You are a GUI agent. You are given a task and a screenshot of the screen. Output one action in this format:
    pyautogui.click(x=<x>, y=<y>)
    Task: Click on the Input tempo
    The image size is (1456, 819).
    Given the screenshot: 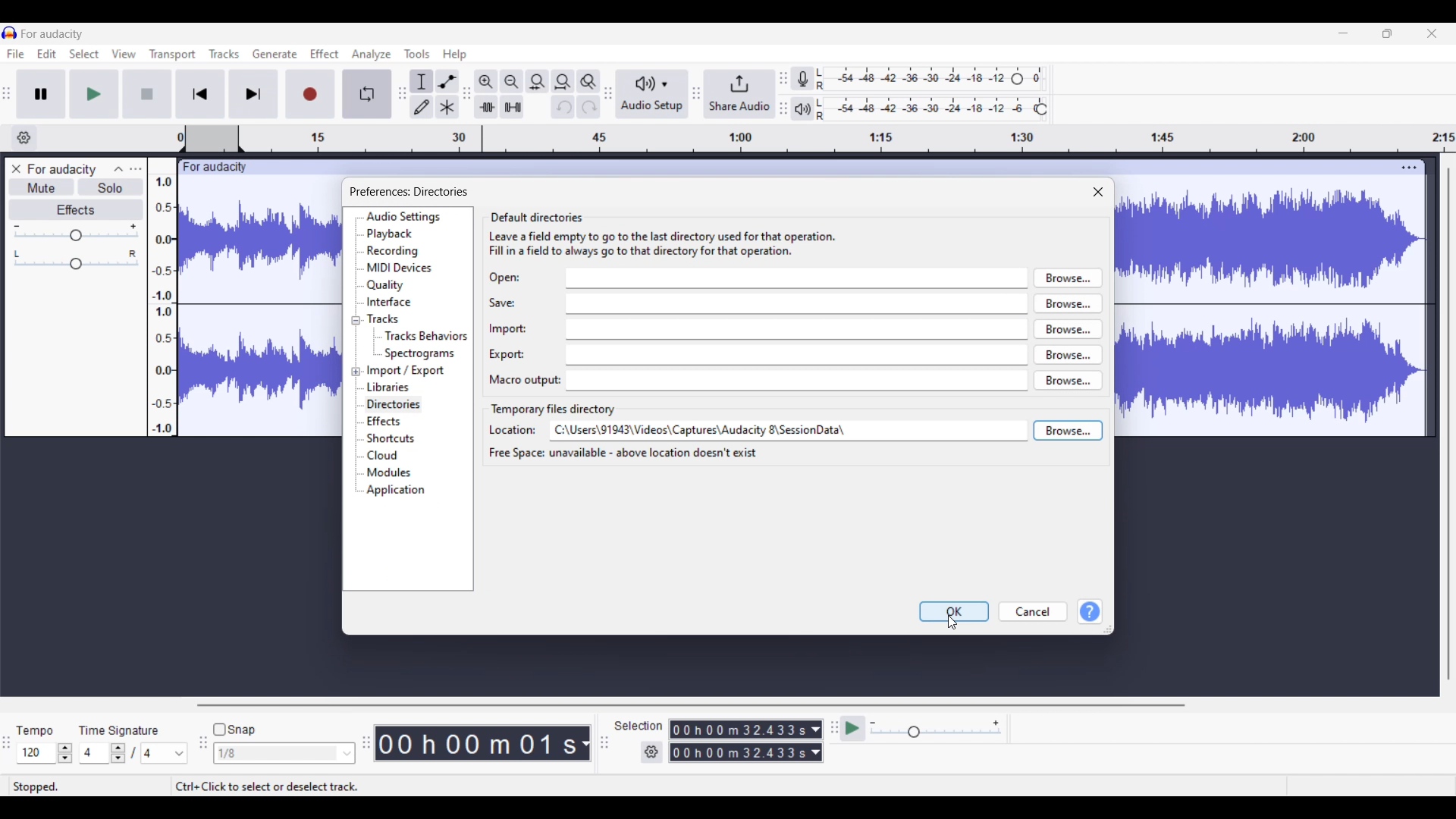 What is the action you would take?
    pyautogui.click(x=36, y=753)
    